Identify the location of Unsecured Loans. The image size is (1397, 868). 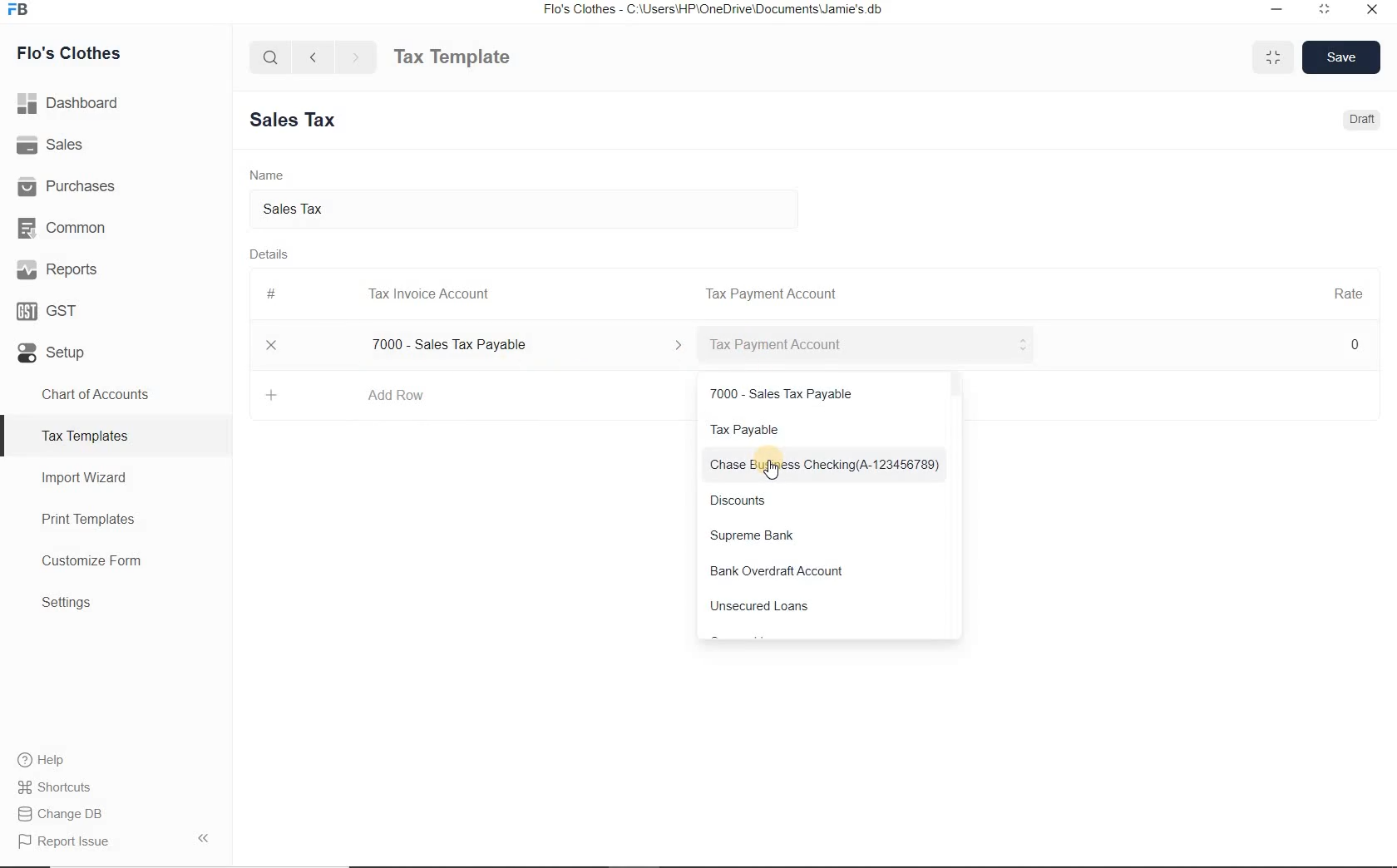
(828, 610).